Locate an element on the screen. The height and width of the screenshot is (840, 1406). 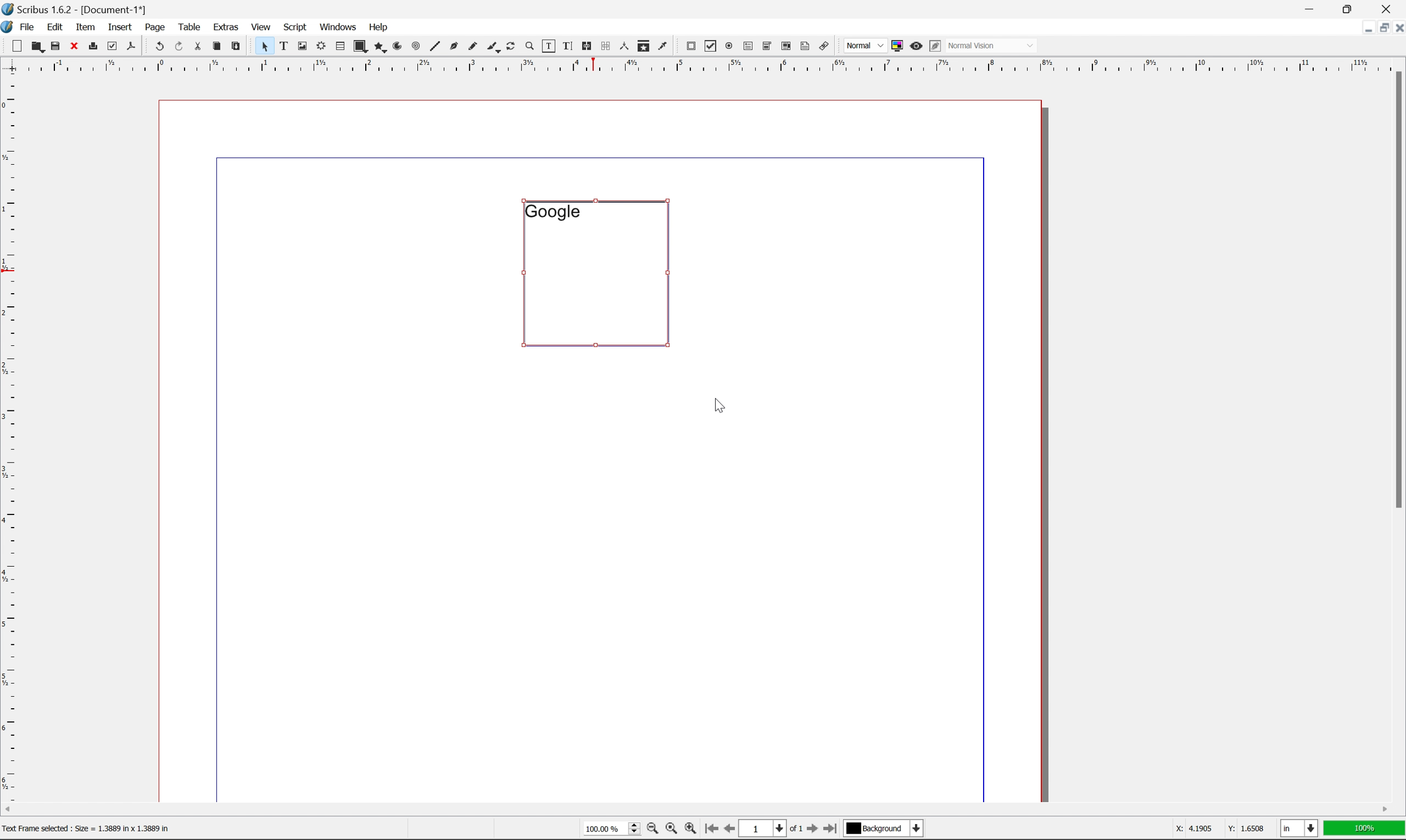
100% is located at coordinates (1365, 829).